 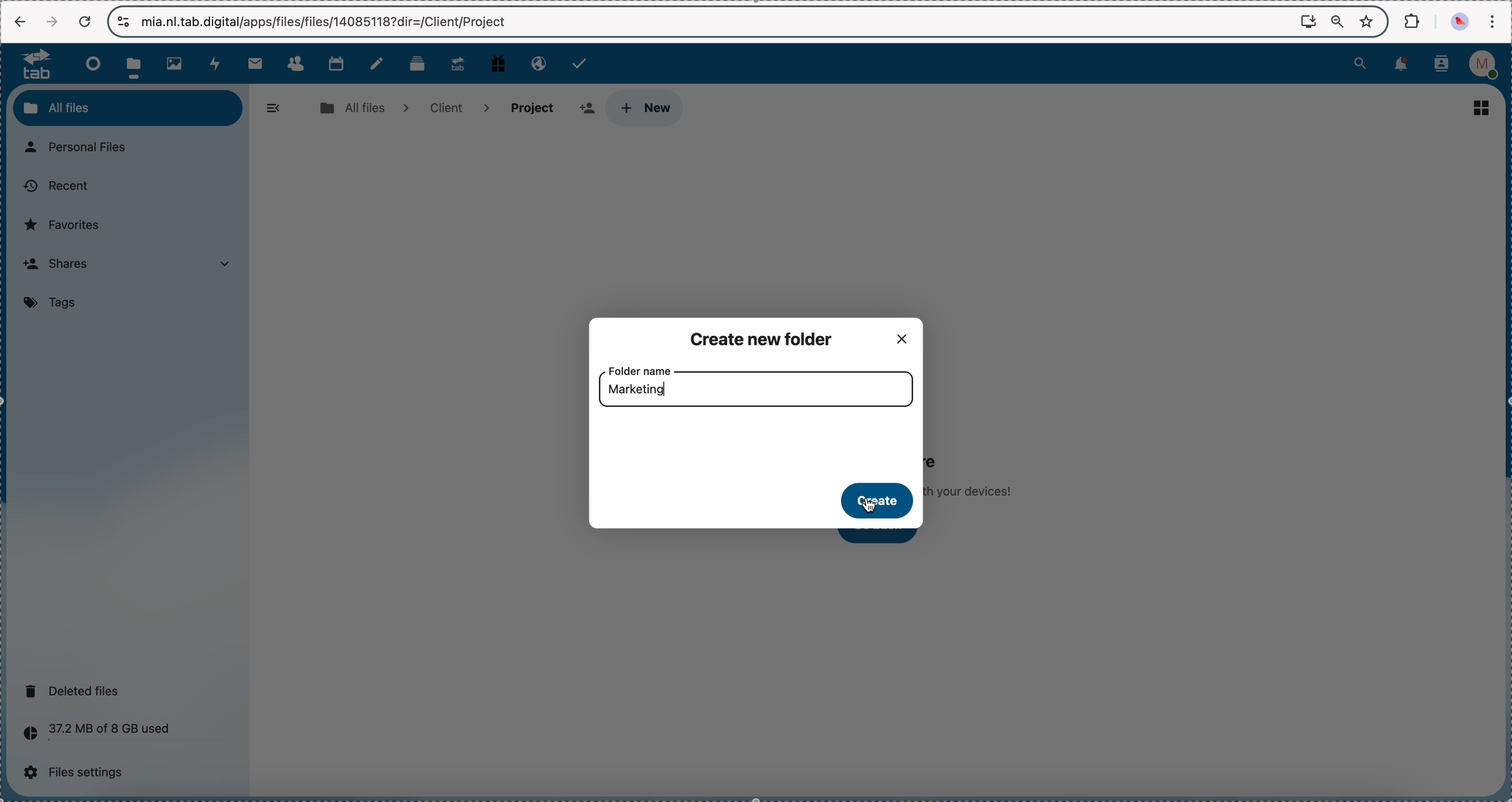 I want to click on dashboard, so click(x=90, y=63).